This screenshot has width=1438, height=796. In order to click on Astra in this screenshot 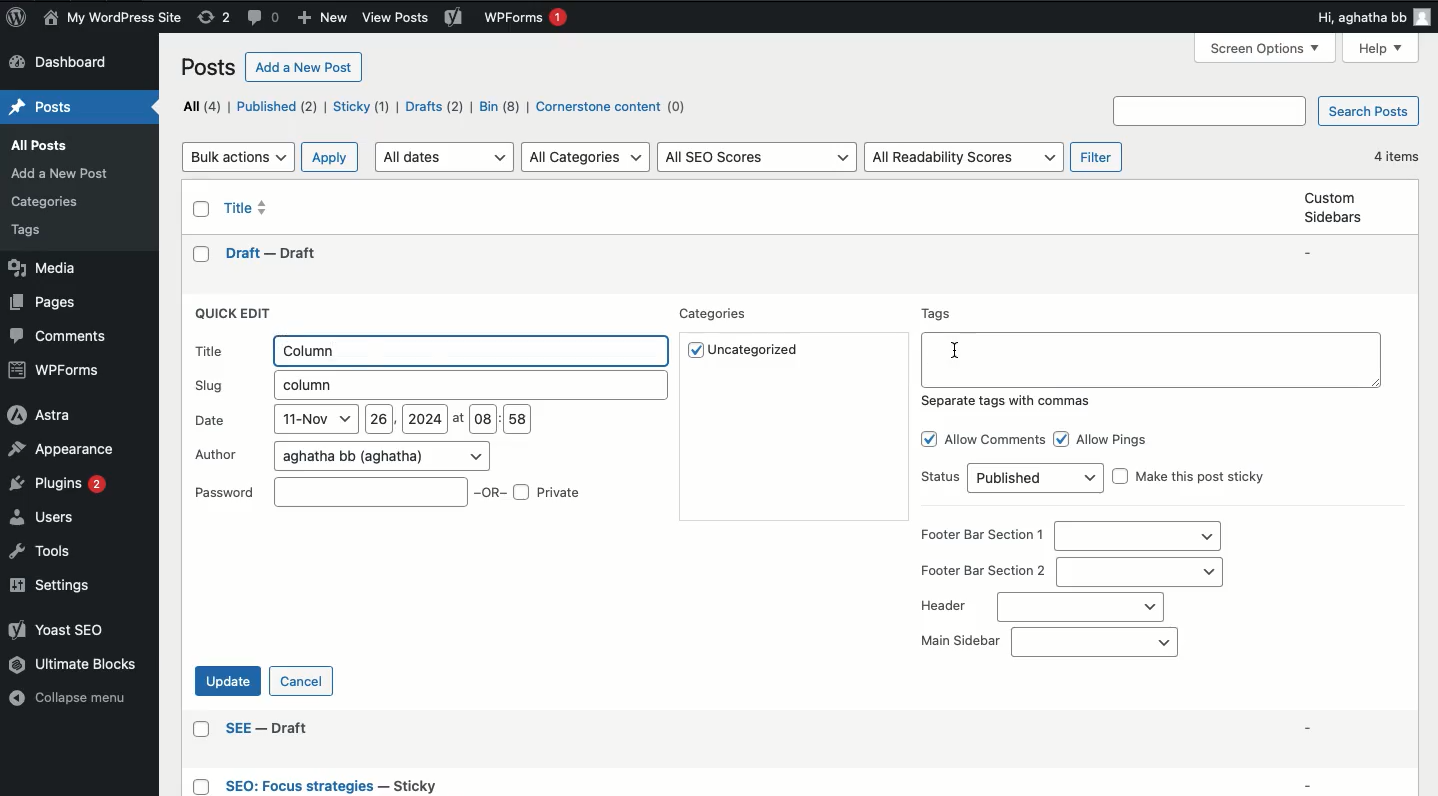, I will do `click(39, 415)`.